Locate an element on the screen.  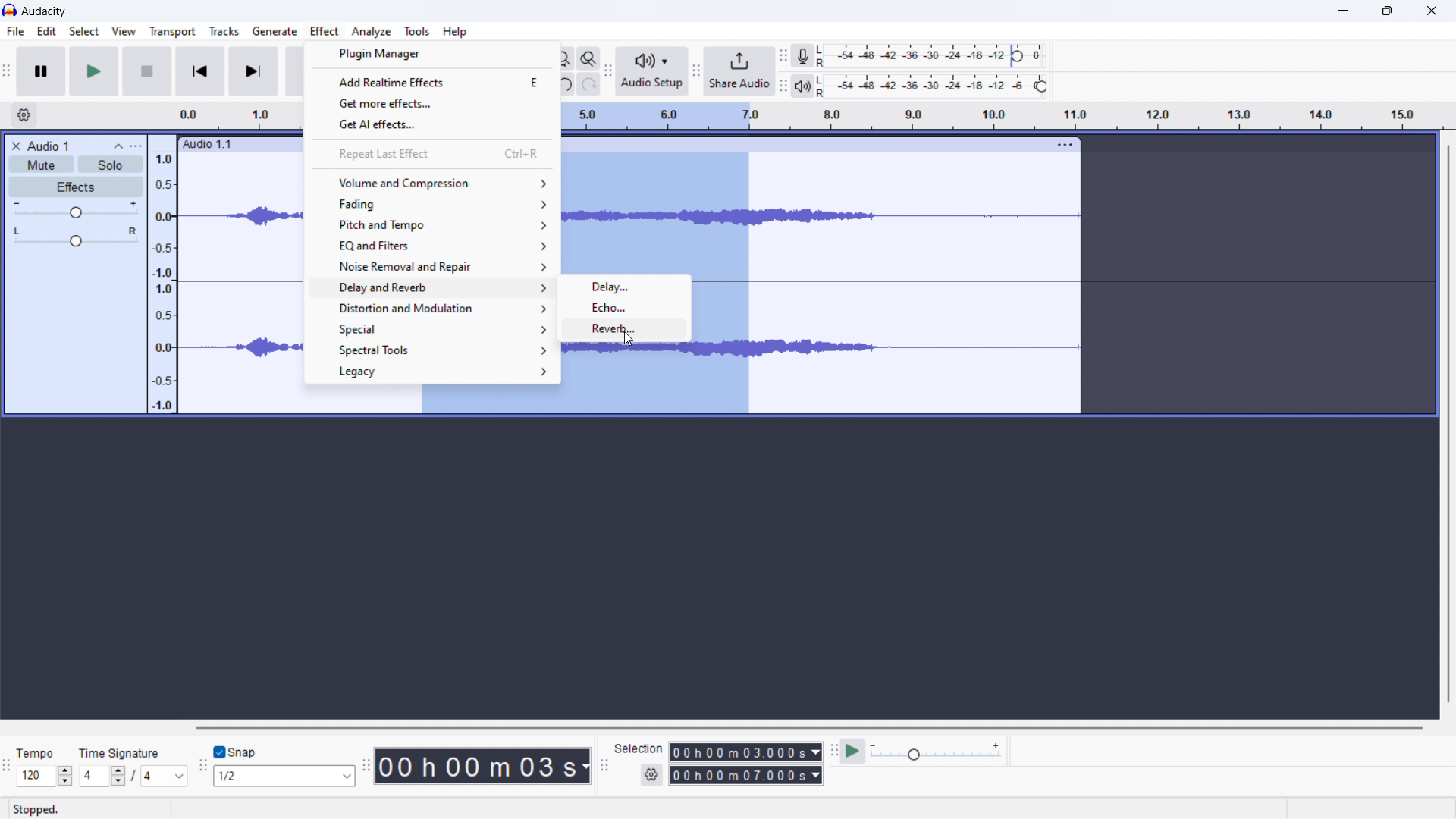
get AI effects.. is located at coordinates (434, 127).